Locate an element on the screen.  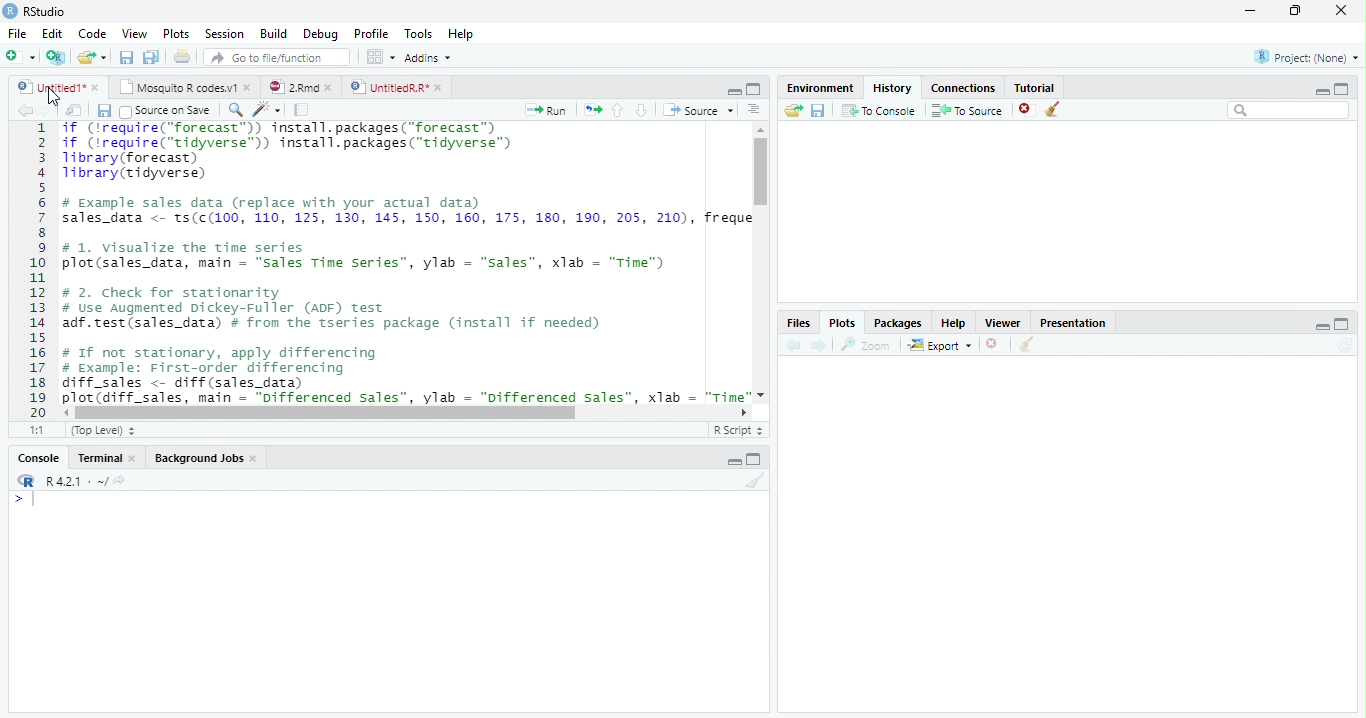
Zoom is located at coordinates (864, 345).